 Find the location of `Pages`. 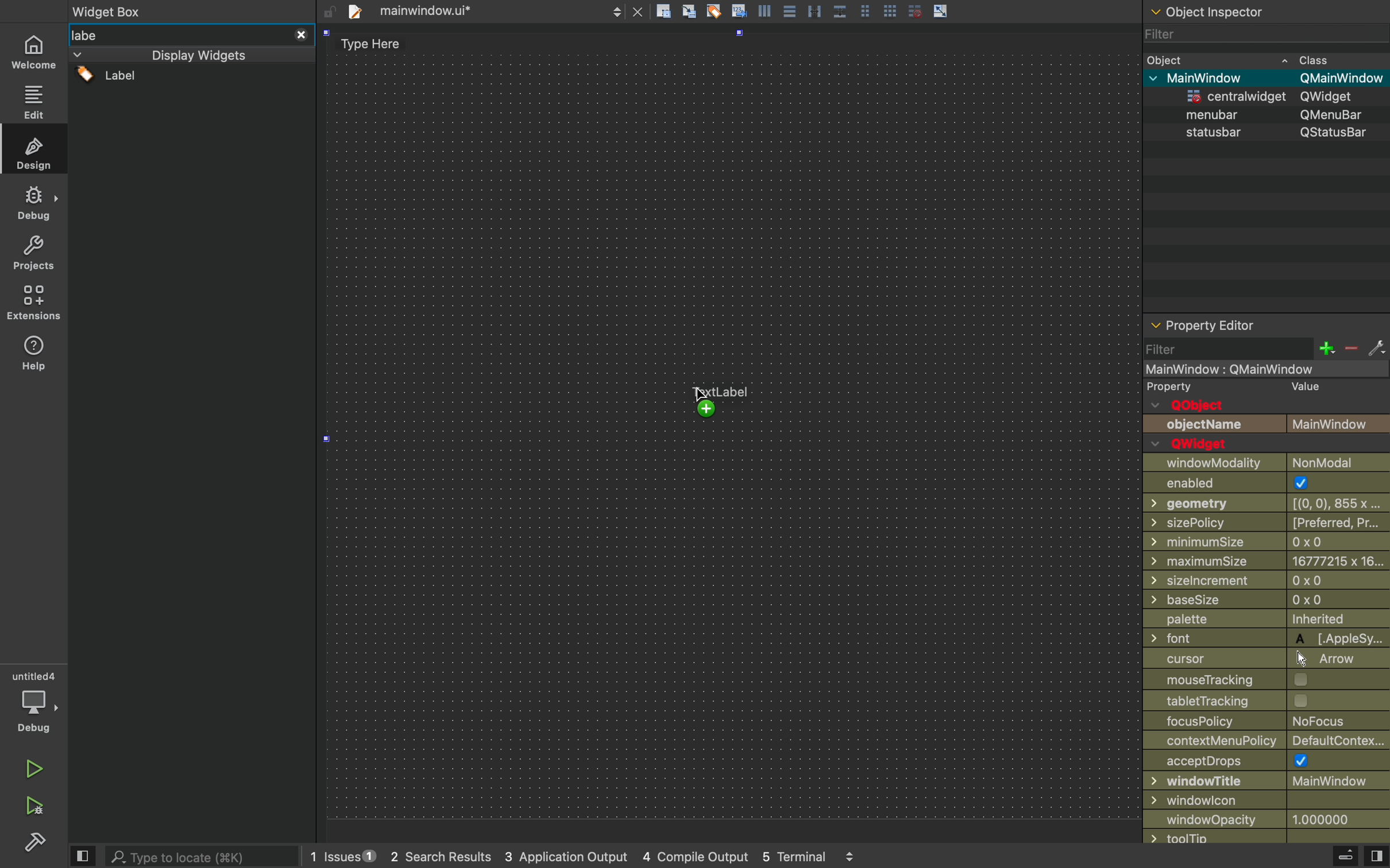

Pages is located at coordinates (868, 10).